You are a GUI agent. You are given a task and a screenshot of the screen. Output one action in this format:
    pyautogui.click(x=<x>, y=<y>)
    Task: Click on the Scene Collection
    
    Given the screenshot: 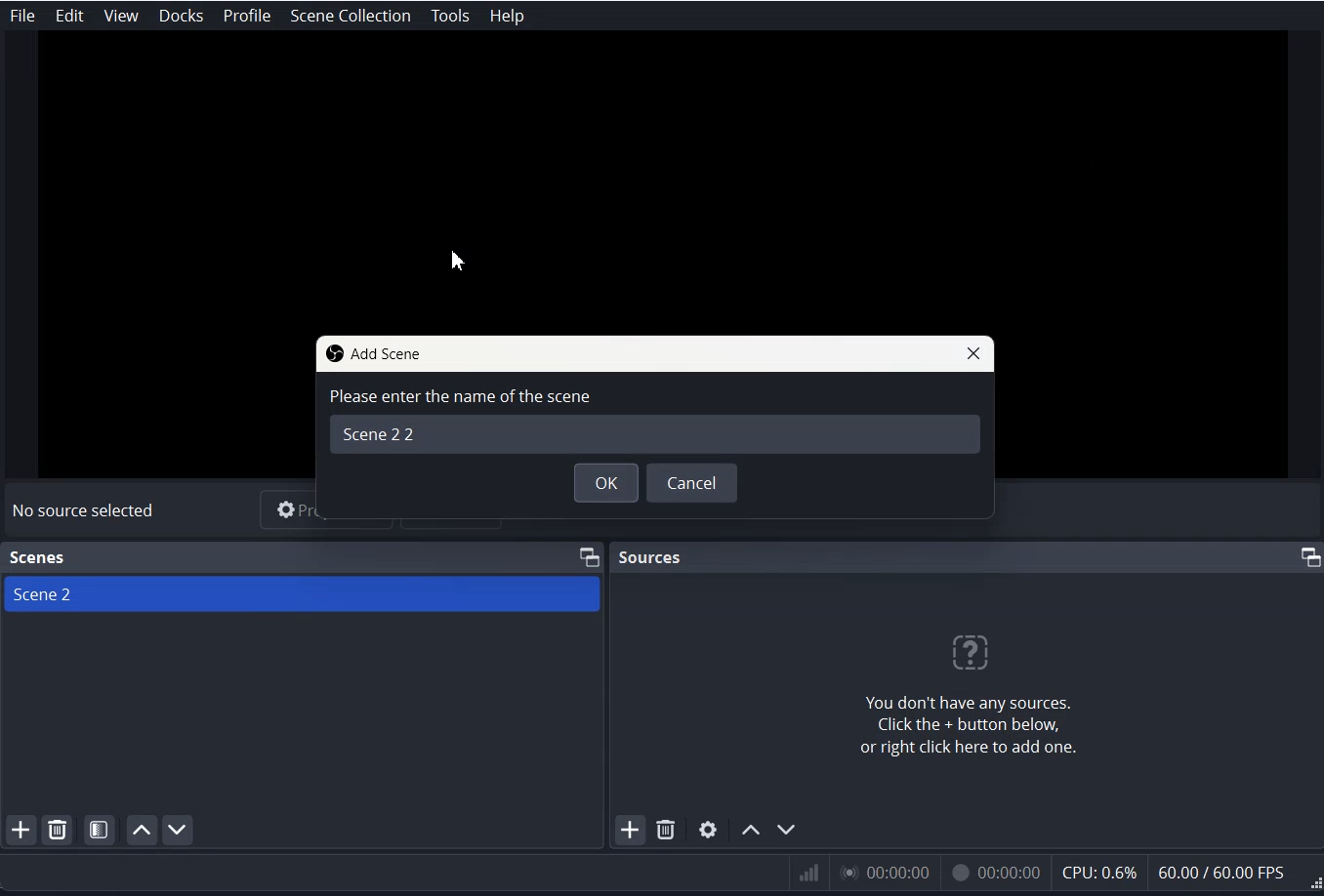 What is the action you would take?
    pyautogui.click(x=349, y=16)
    